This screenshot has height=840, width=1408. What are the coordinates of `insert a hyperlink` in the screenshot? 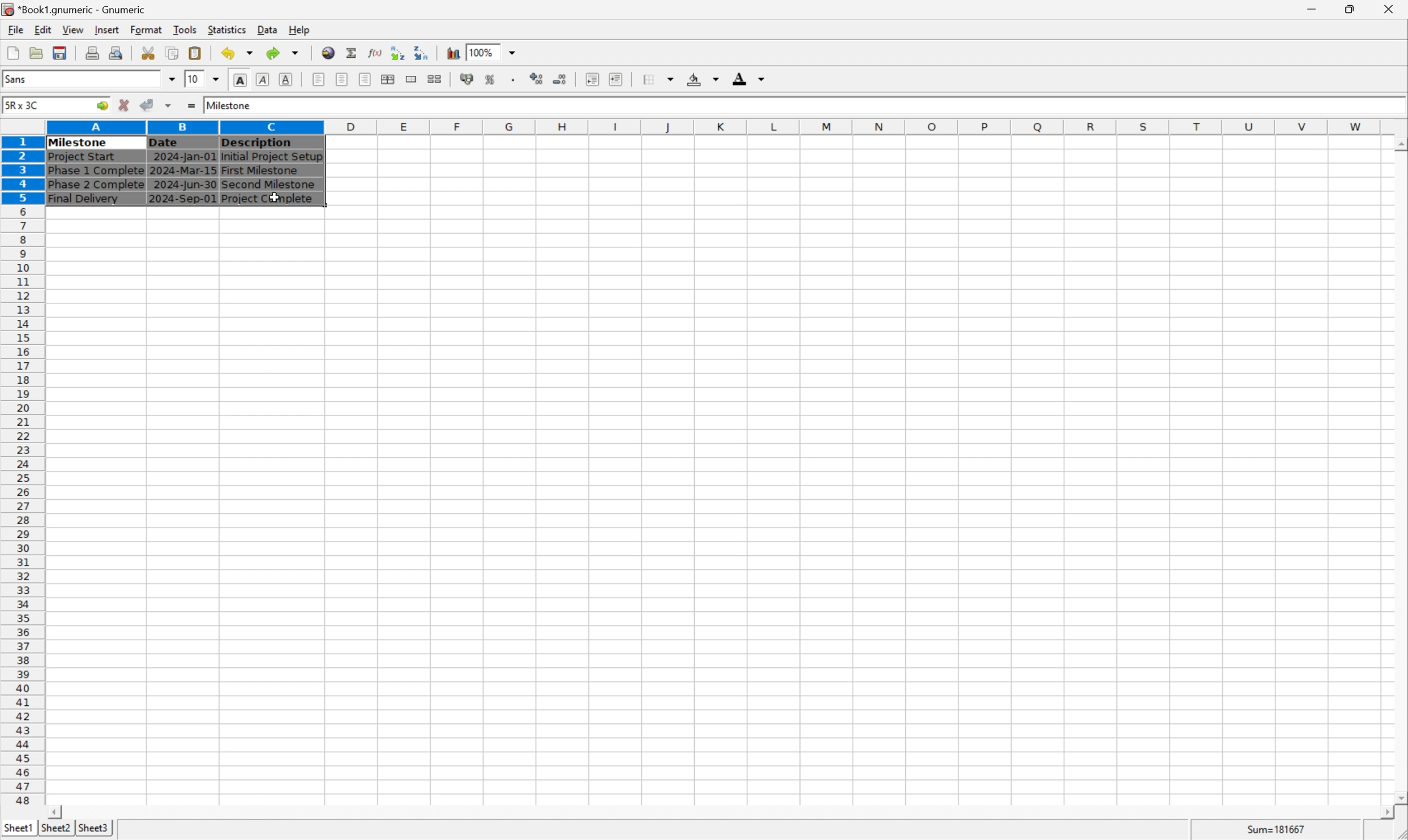 It's located at (329, 53).